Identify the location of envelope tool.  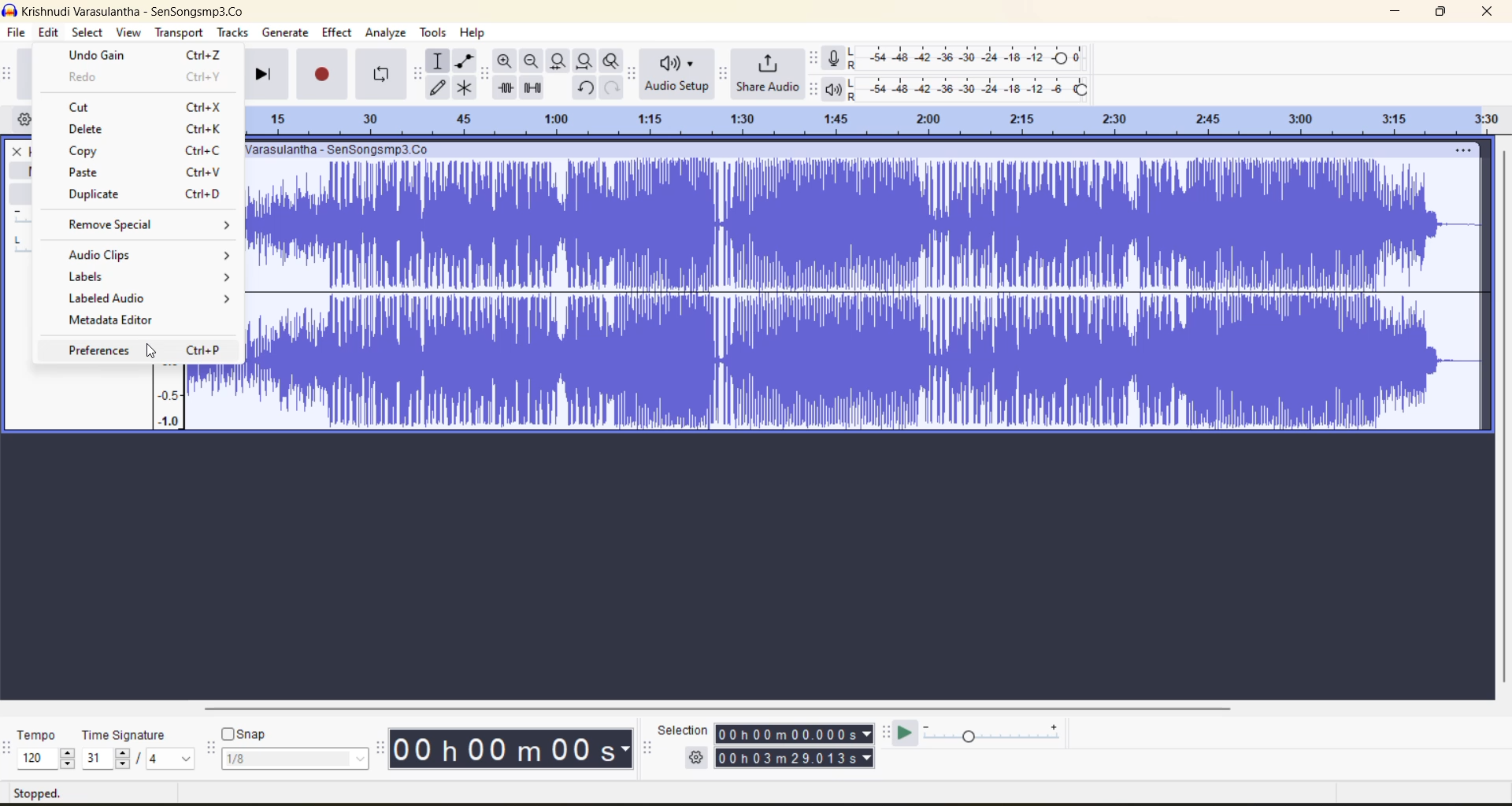
(465, 61).